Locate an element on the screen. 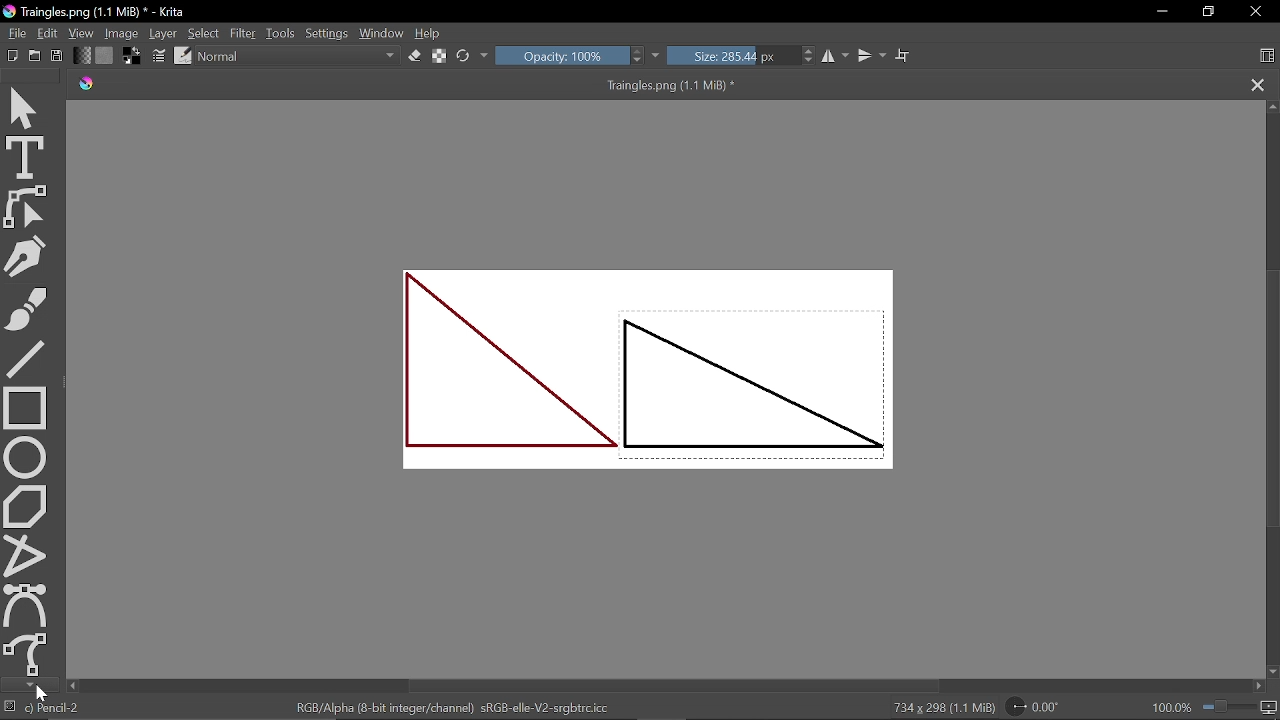 The width and height of the screenshot is (1280, 720). Rectangle tool is located at coordinates (26, 407).